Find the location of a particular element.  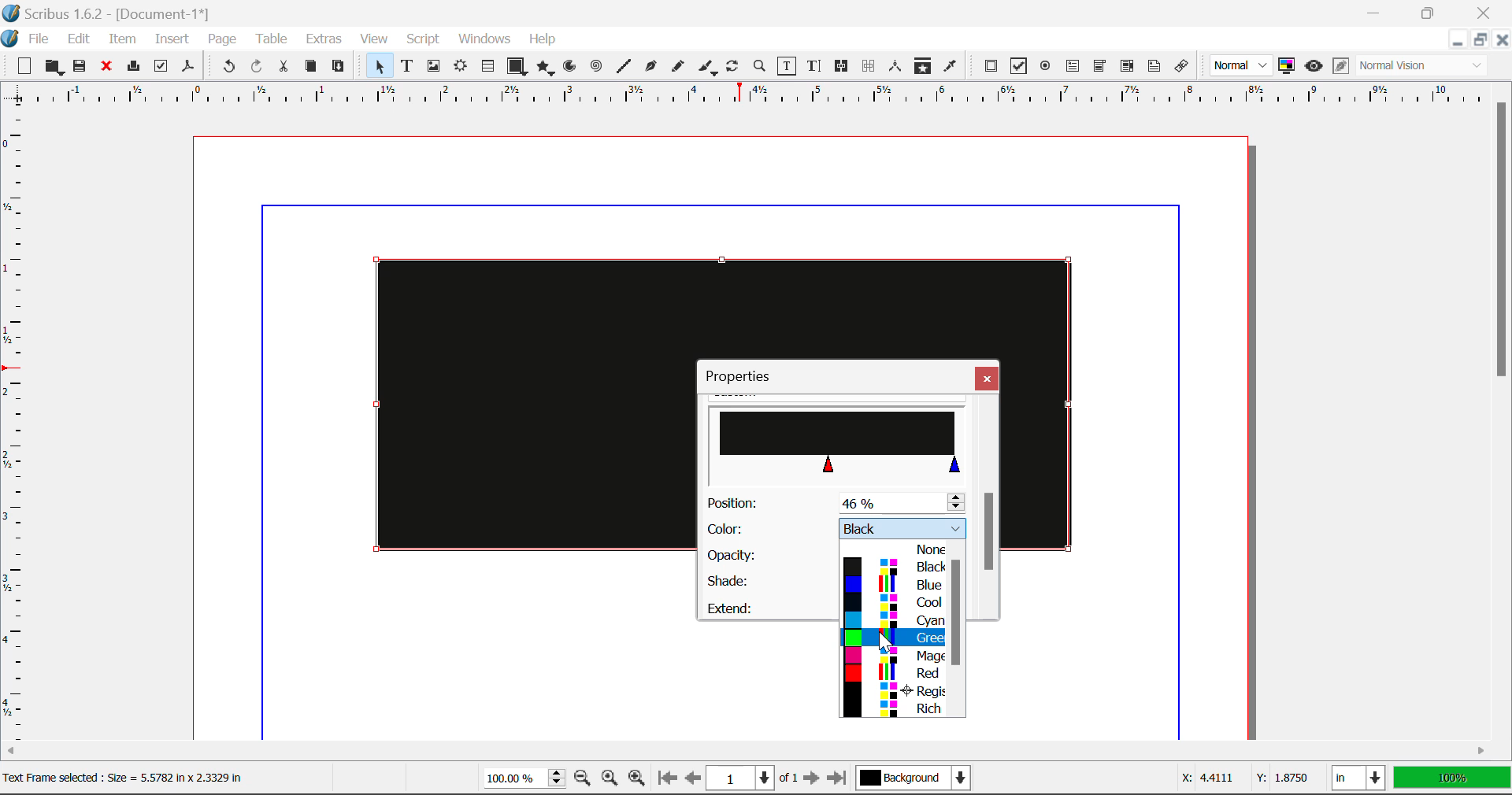

Text Frame Color Changed is located at coordinates (510, 403).